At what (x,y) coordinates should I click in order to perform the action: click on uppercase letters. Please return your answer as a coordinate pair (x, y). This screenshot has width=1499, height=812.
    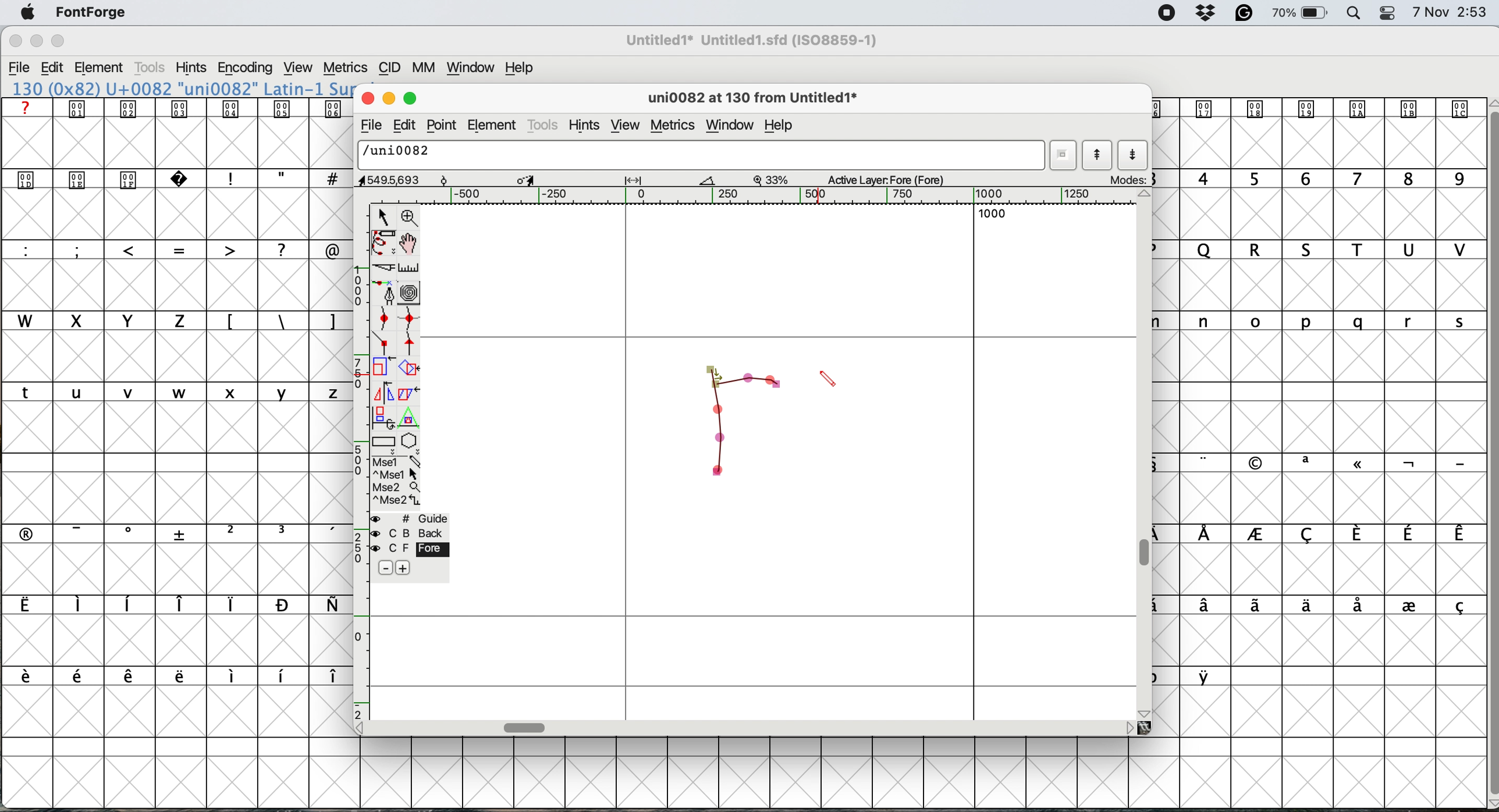
    Looking at the image, I should click on (376, 250).